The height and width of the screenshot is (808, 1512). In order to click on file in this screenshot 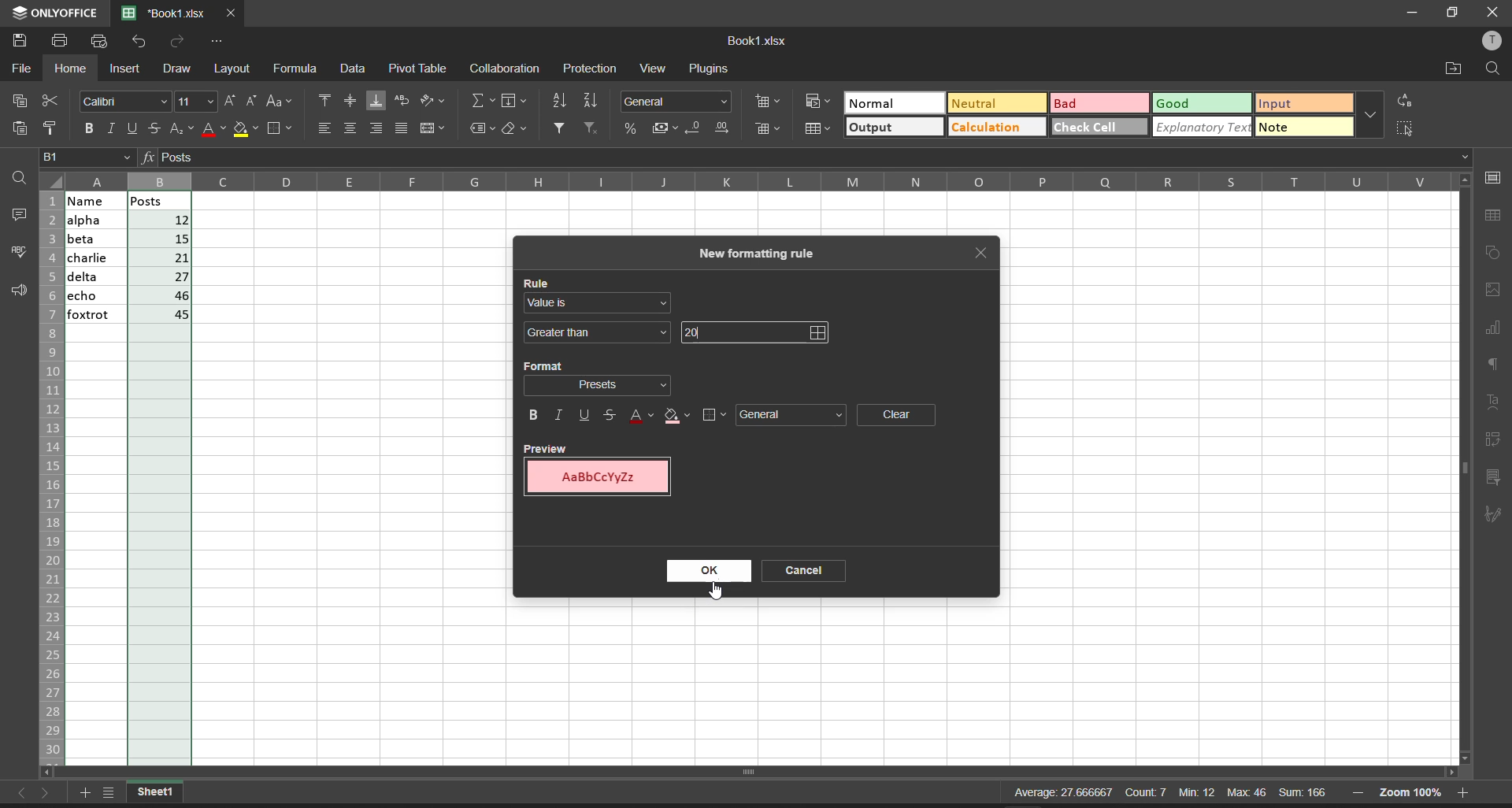, I will do `click(22, 69)`.